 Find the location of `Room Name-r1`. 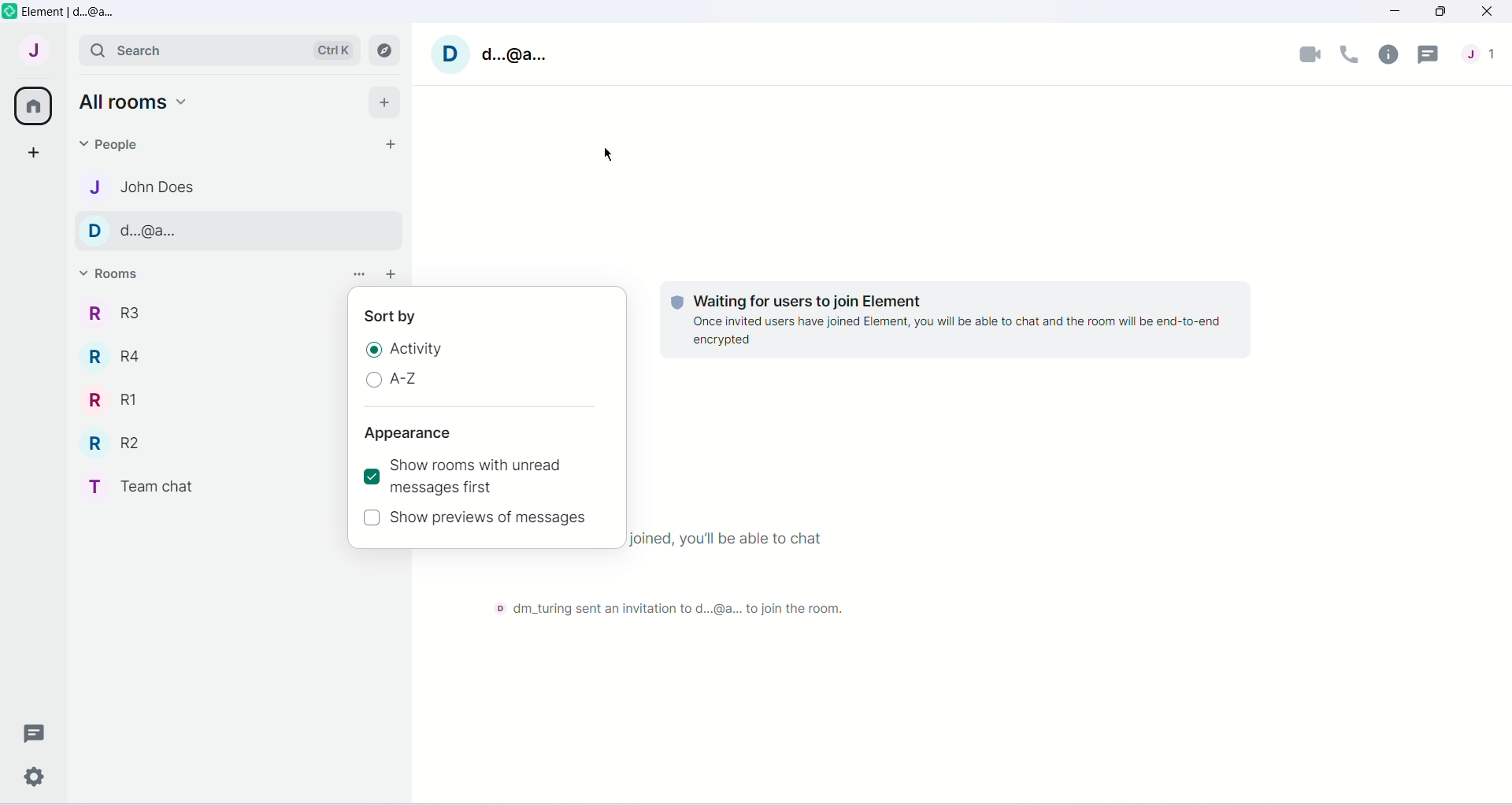

Room Name-r1 is located at coordinates (114, 401).